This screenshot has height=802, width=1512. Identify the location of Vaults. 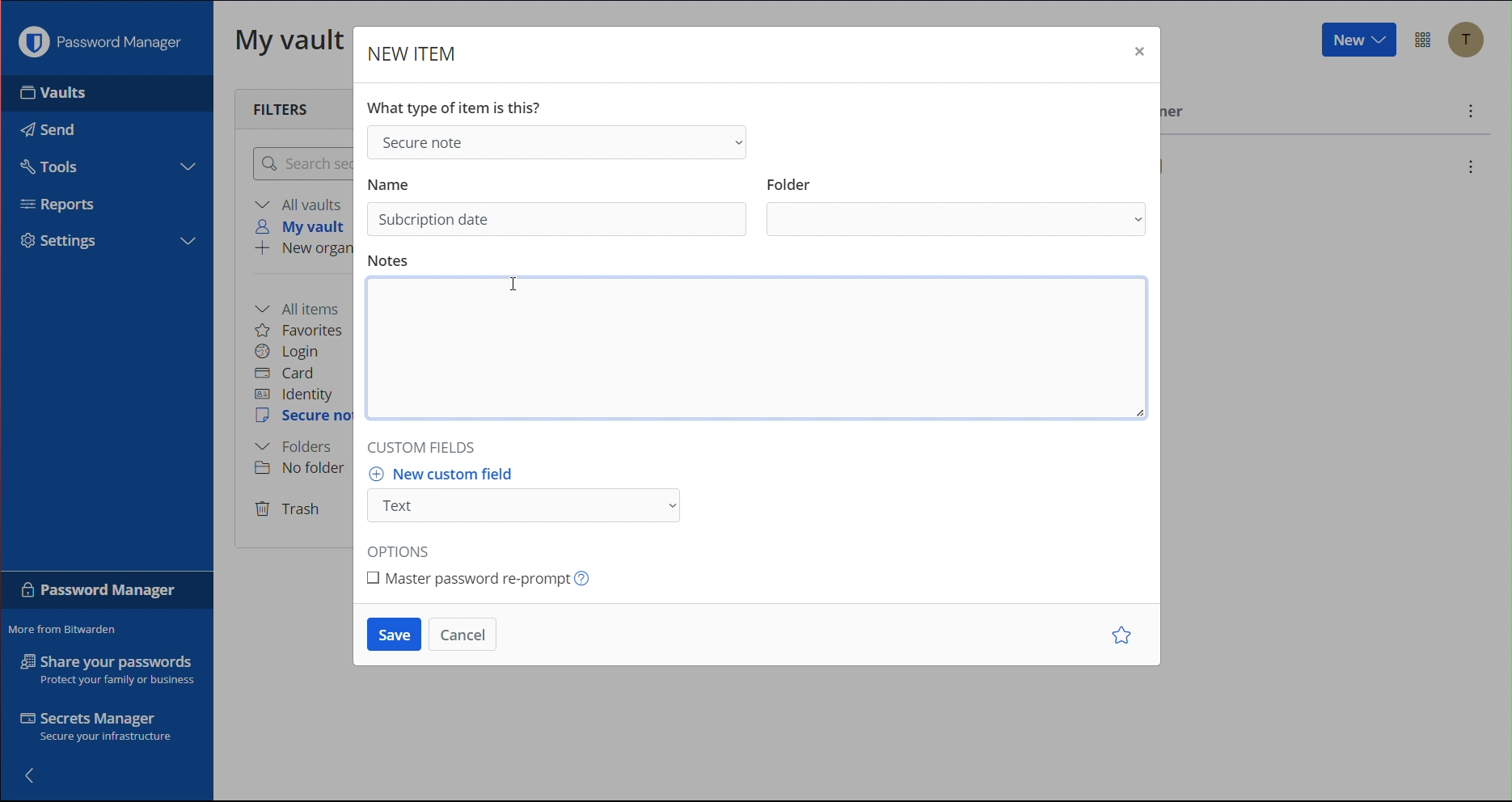
(80, 93).